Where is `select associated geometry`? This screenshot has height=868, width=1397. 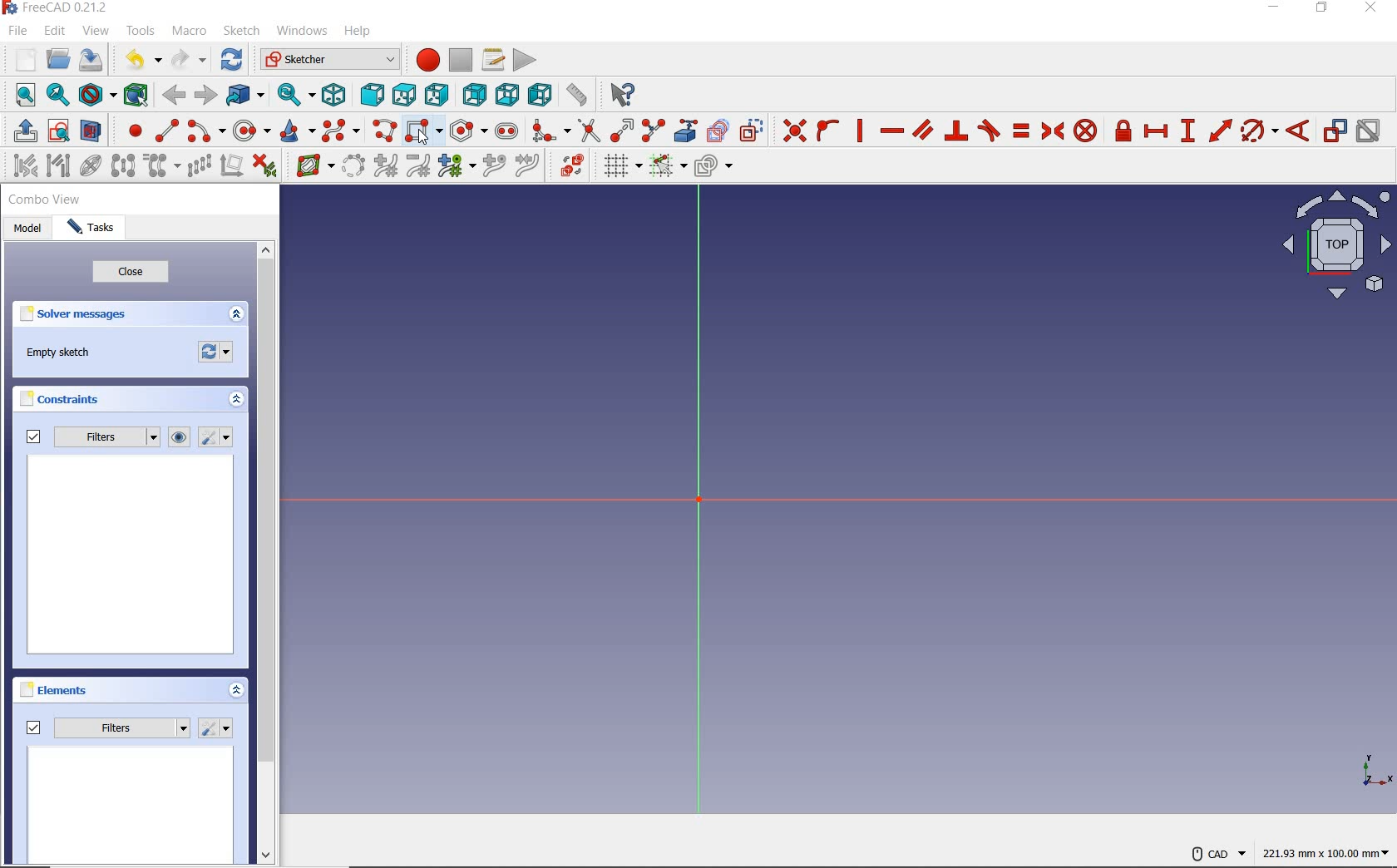
select associated geometry is located at coordinates (57, 166).